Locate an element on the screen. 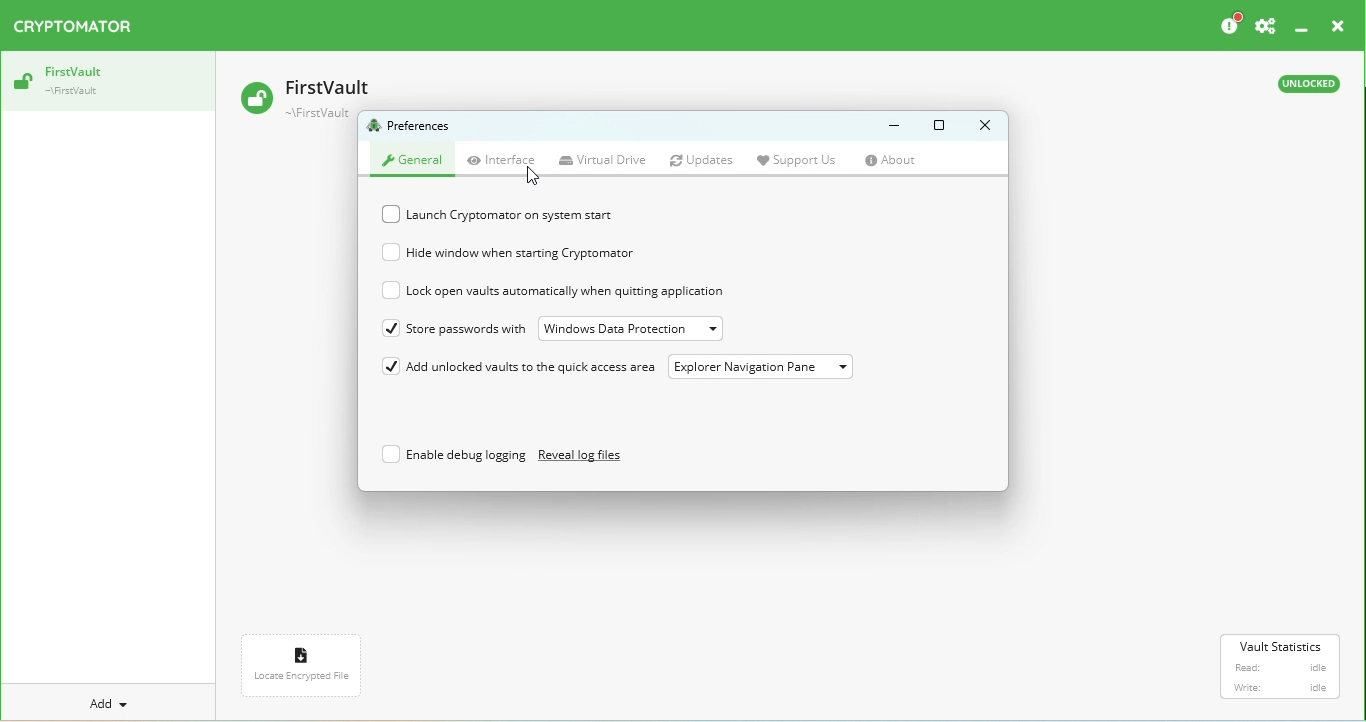  Add a new vault is located at coordinates (111, 703).